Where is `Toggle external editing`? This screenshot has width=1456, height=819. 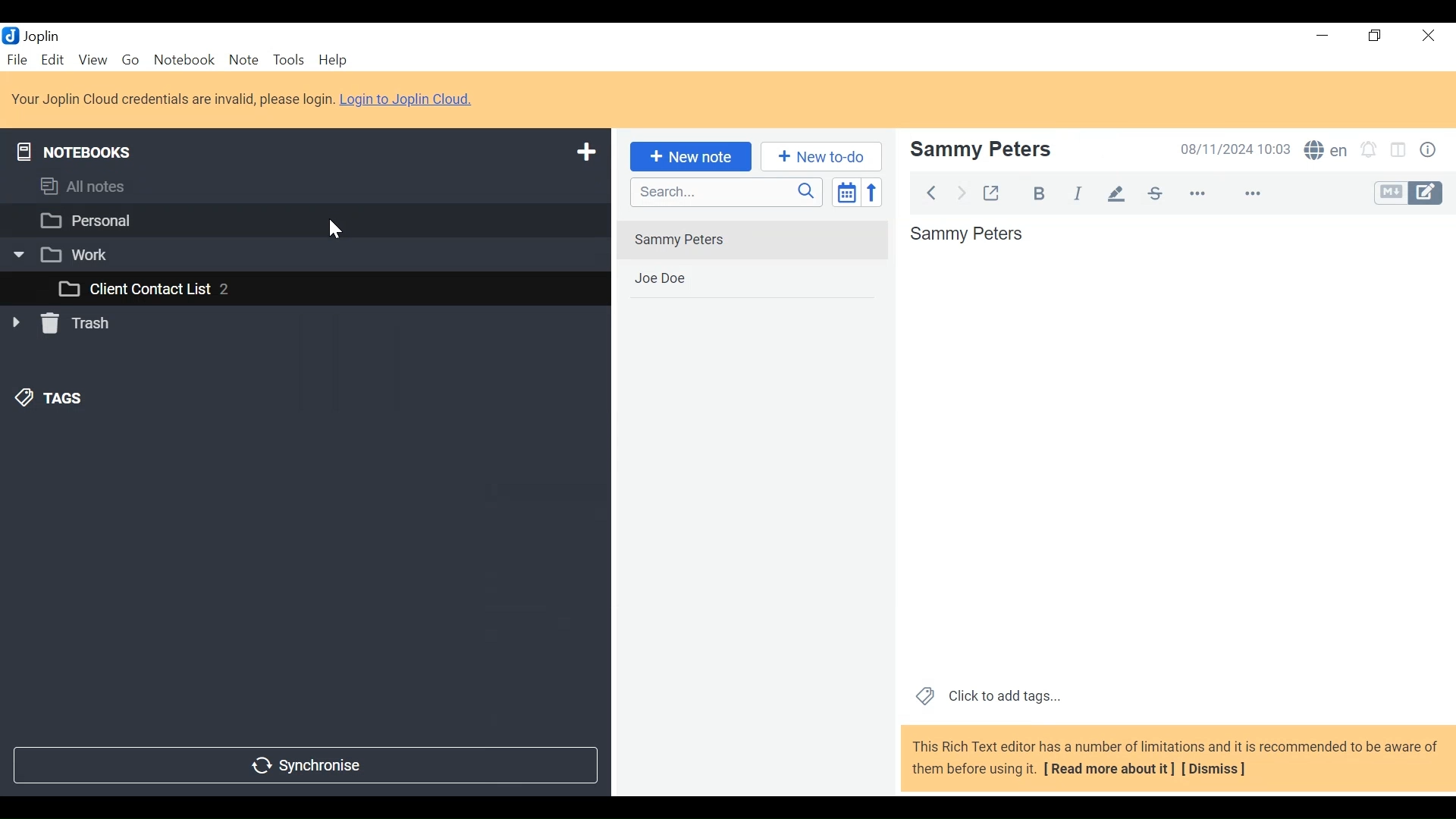
Toggle external editing is located at coordinates (993, 192).